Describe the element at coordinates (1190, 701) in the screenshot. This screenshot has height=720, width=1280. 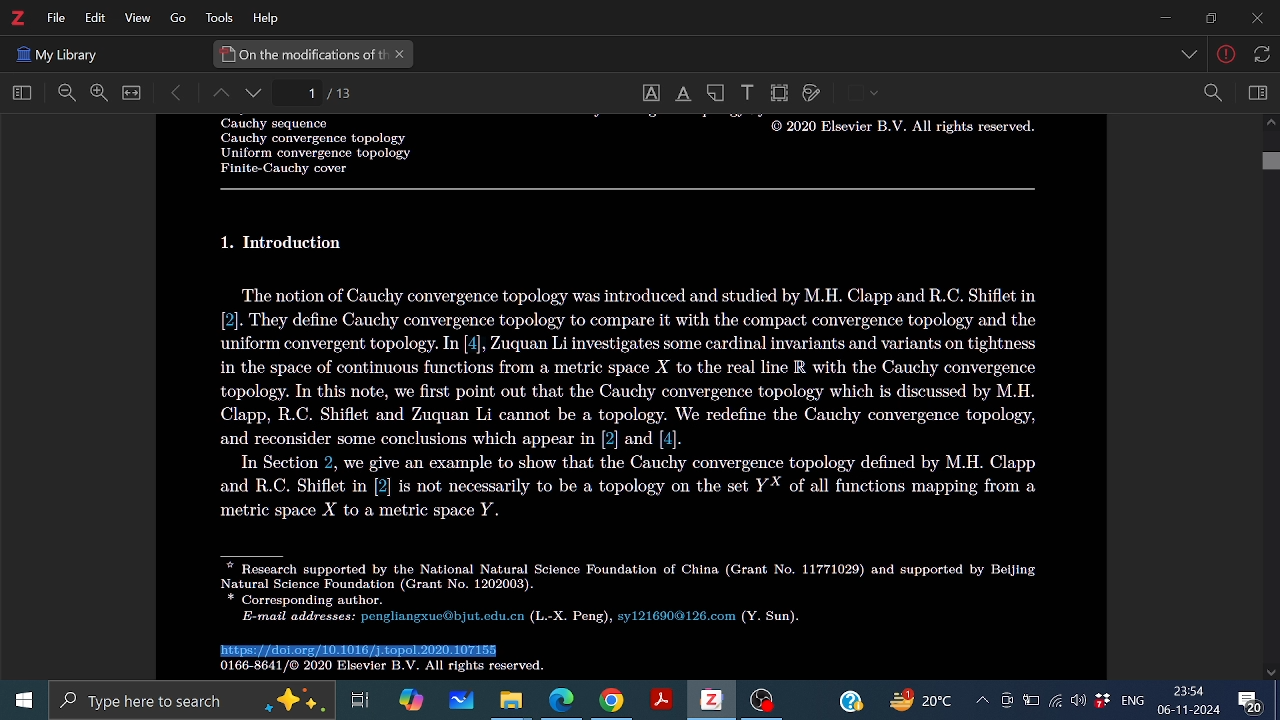
I see `Time and date` at that location.